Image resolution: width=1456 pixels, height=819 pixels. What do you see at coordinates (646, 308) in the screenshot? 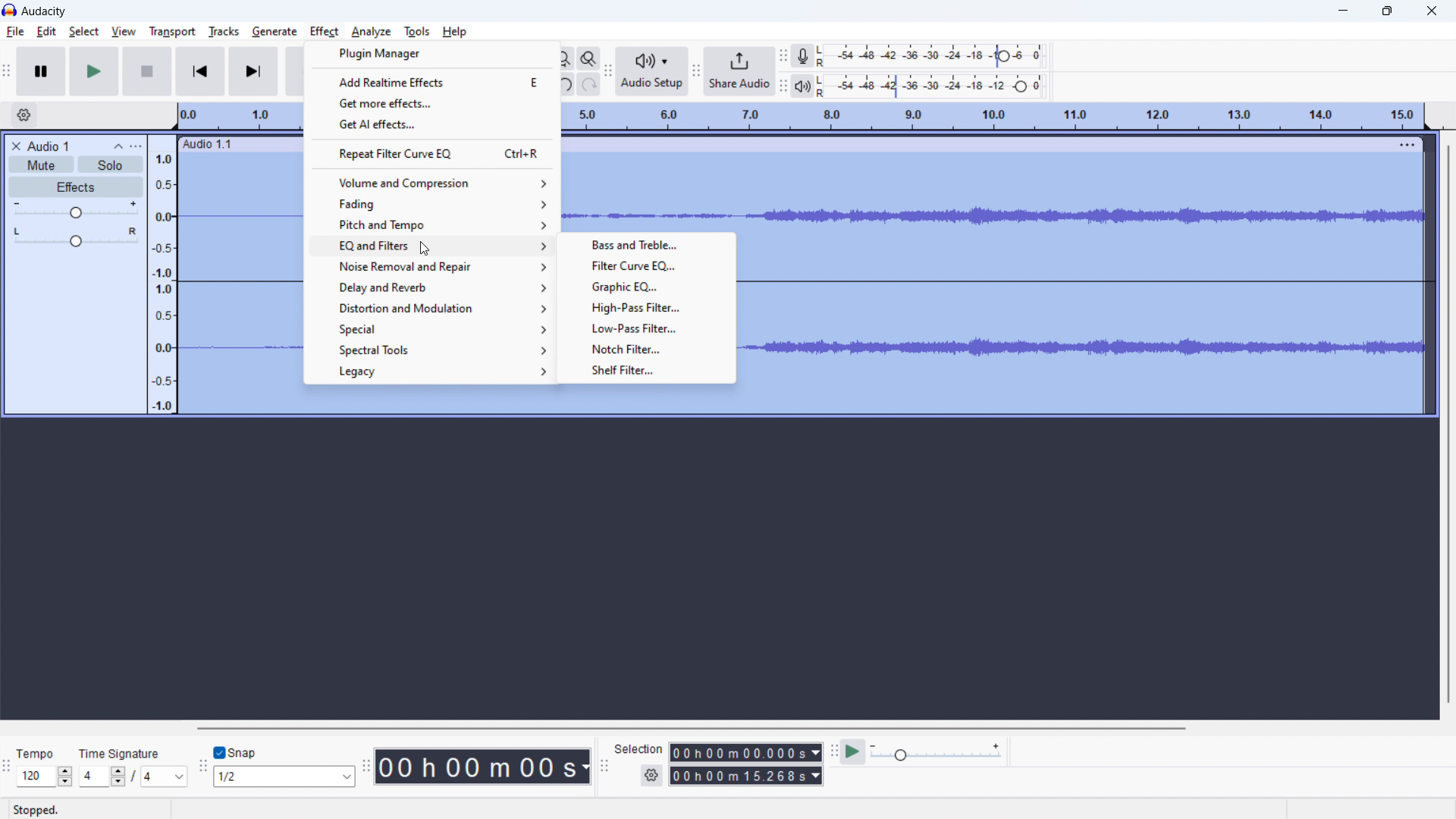
I see `high pass filter` at bounding box center [646, 308].